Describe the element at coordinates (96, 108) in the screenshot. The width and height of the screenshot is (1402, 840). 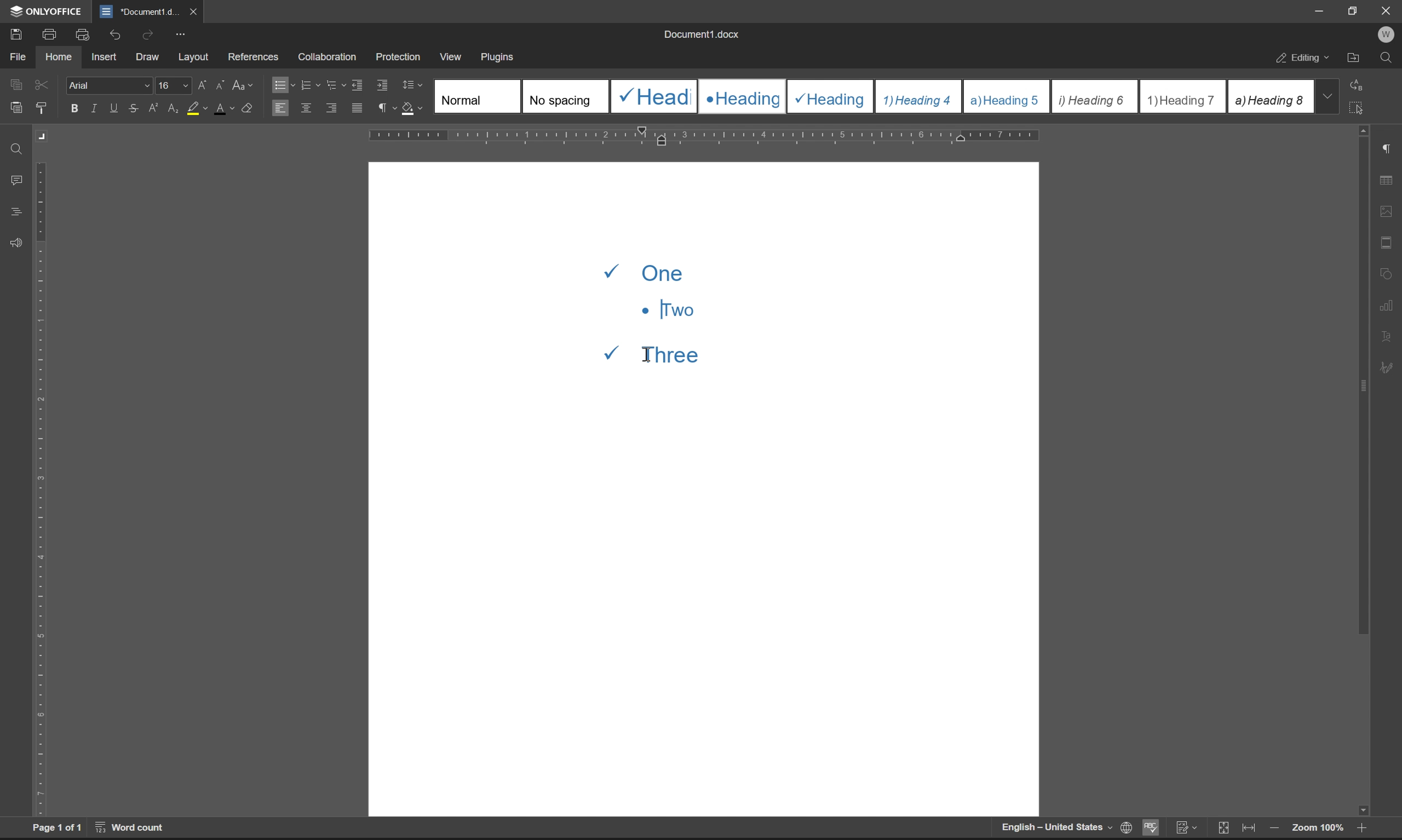
I see `italic` at that location.